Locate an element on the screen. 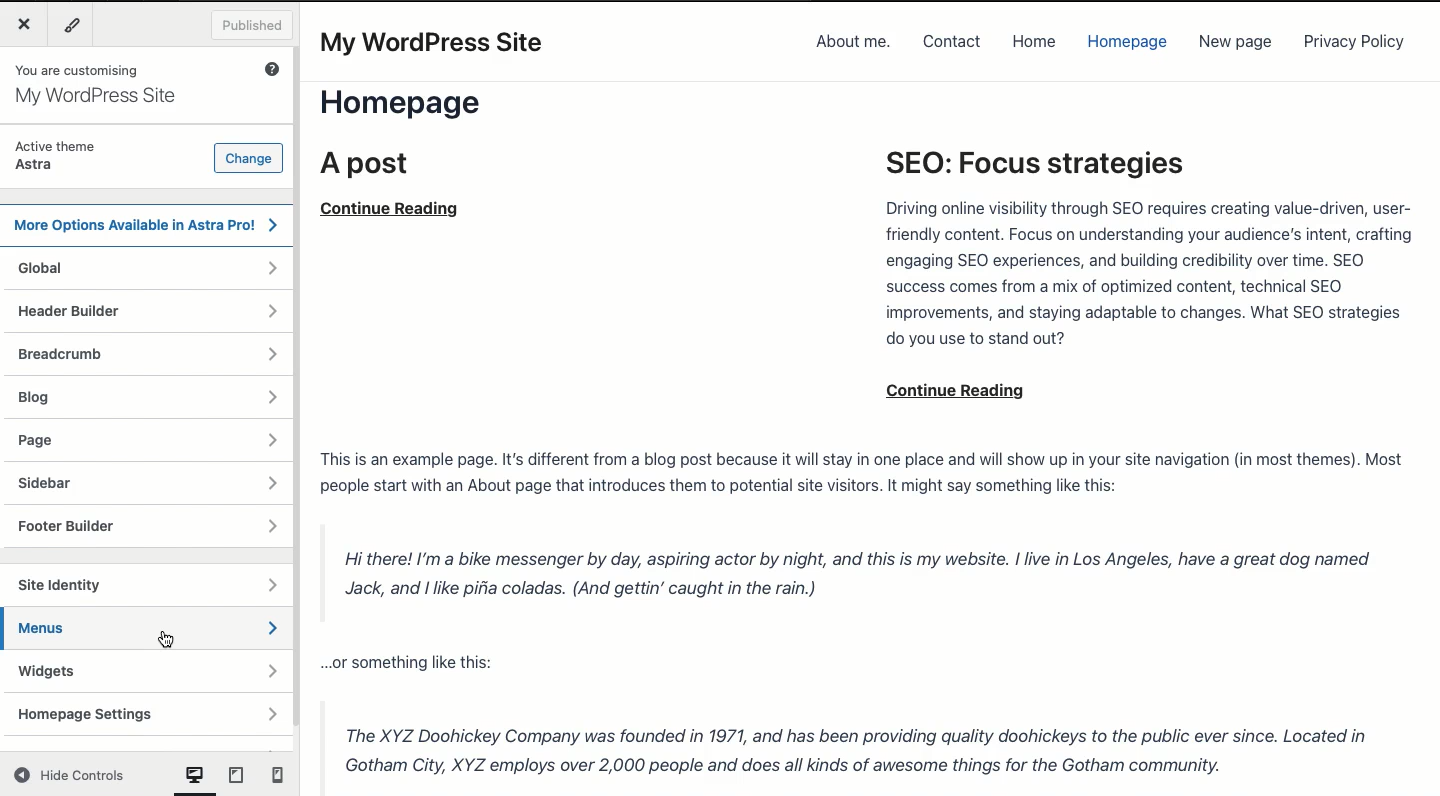 This screenshot has height=796, width=1440. Global is located at coordinates (148, 269).